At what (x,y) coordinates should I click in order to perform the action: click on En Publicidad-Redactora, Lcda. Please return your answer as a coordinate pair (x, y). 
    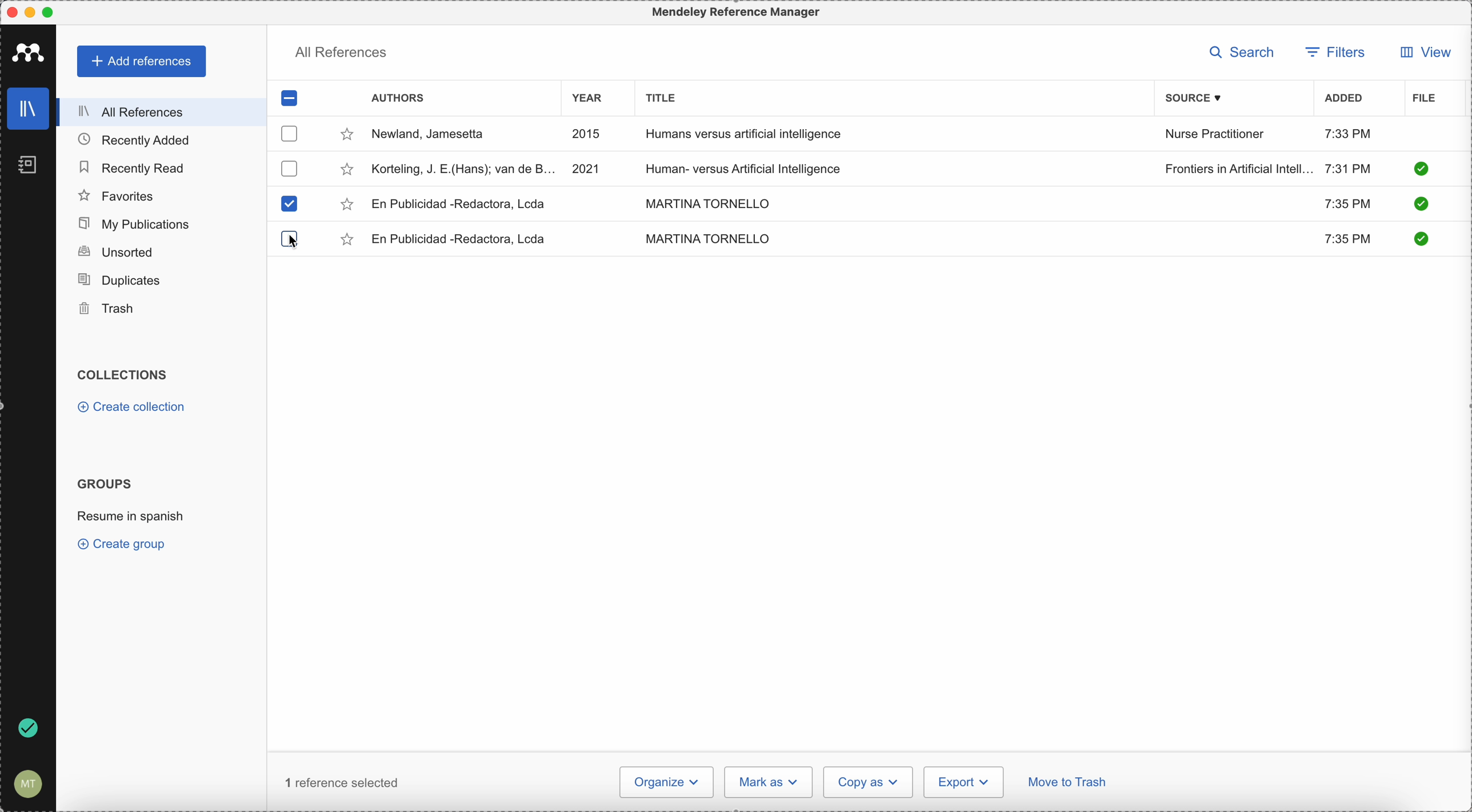
    Looking at the image, I should click on (459, 204).